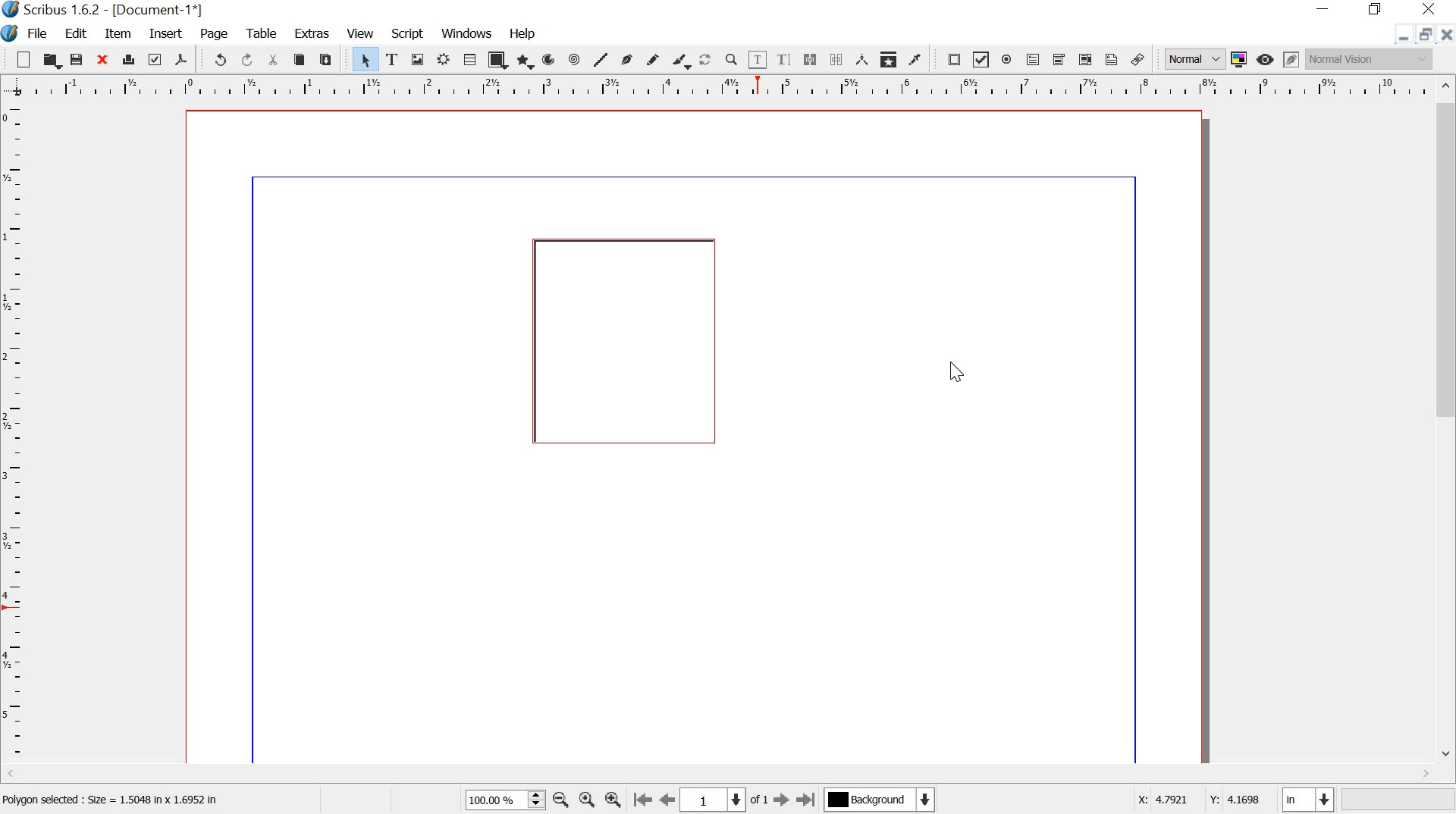 Image resolution: width=1456 pixels, height=814 pixels. I want to click on page, so click(215, 33).